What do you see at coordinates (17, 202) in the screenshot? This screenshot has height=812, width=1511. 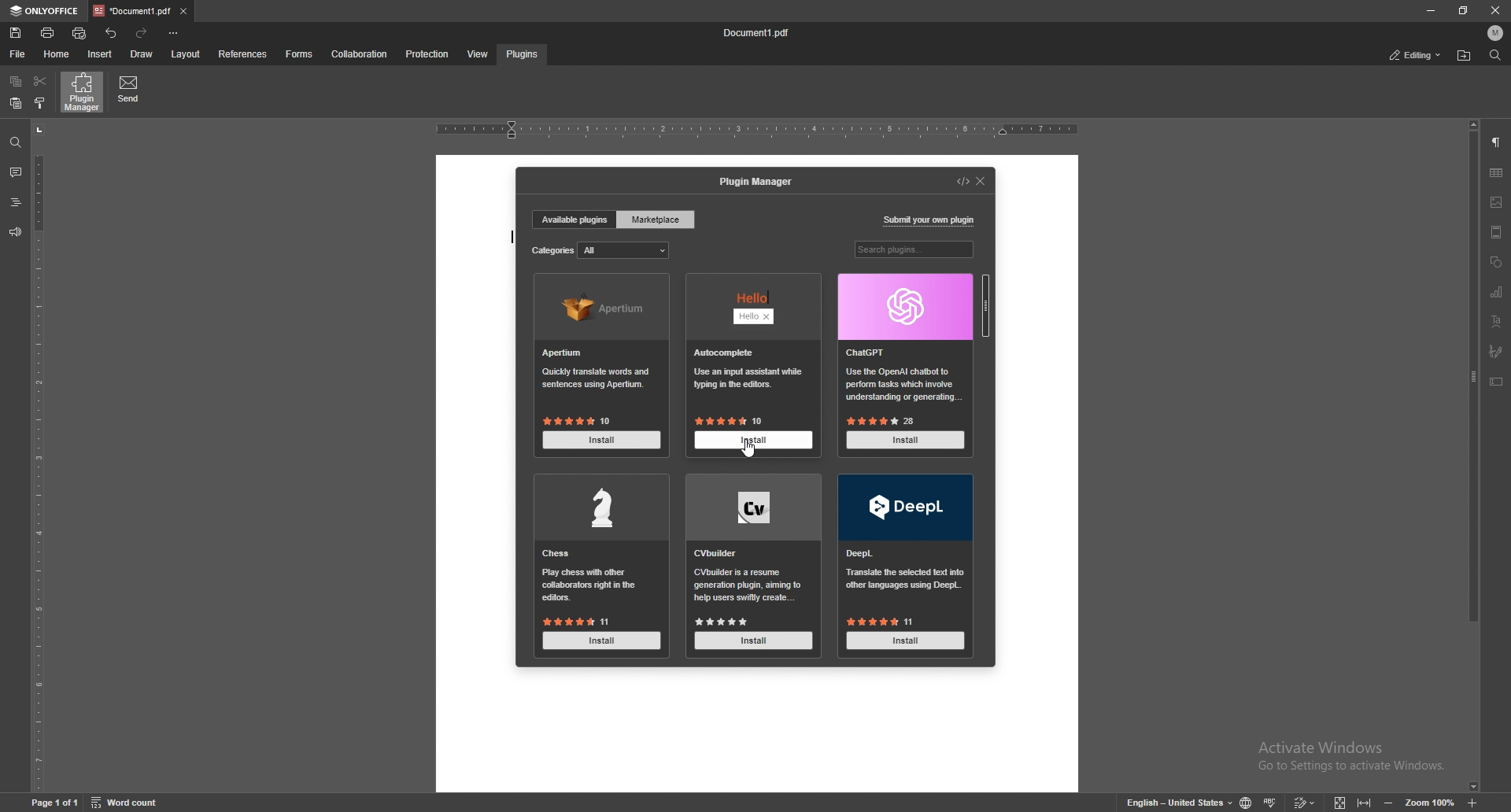 I see `heading` at bounding box center [17, 202].